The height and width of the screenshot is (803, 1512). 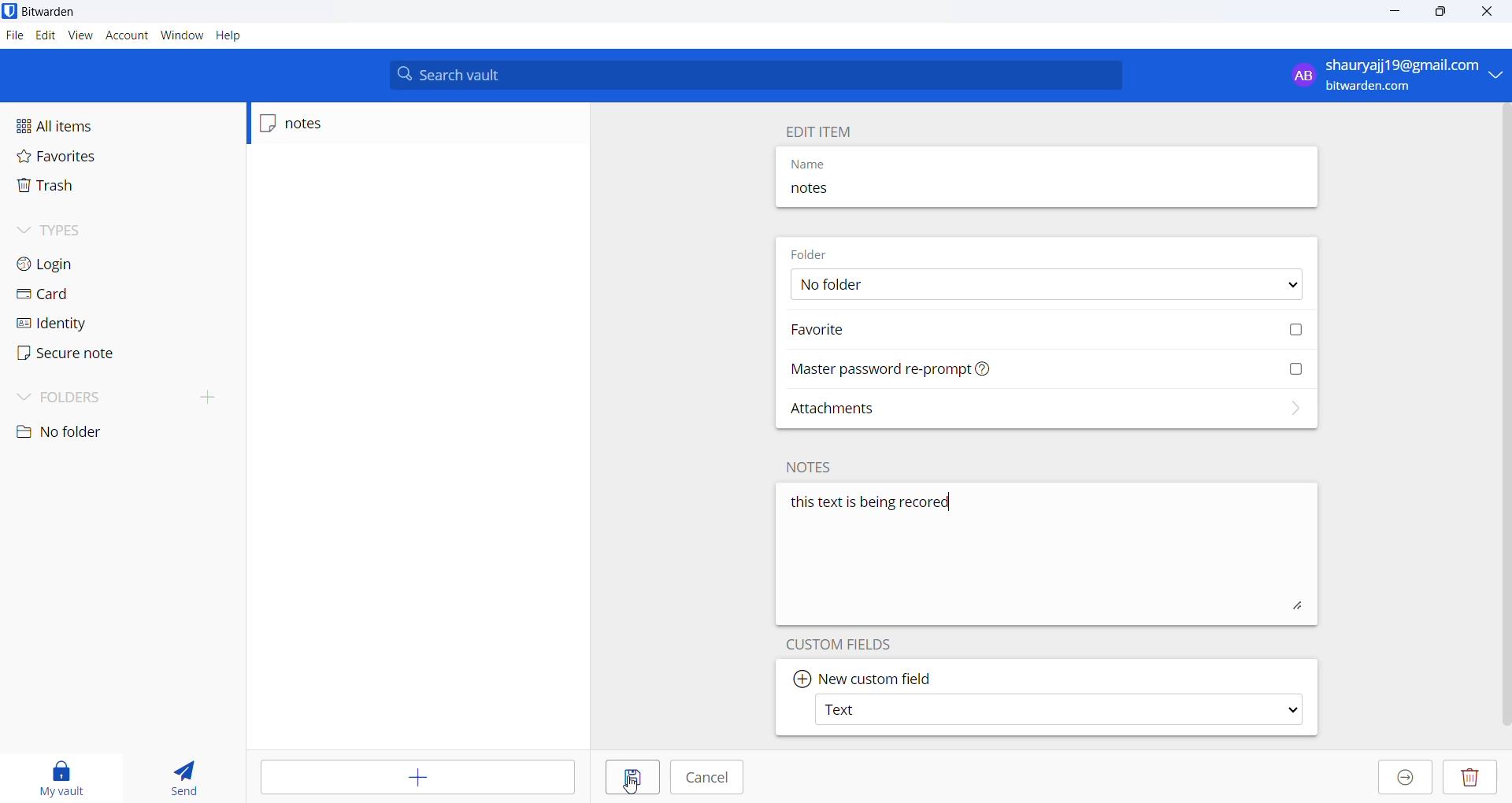 What do you see at coordinates (867, 194) in the screenshot?
I see `notes` at bounding box center [867, 194].